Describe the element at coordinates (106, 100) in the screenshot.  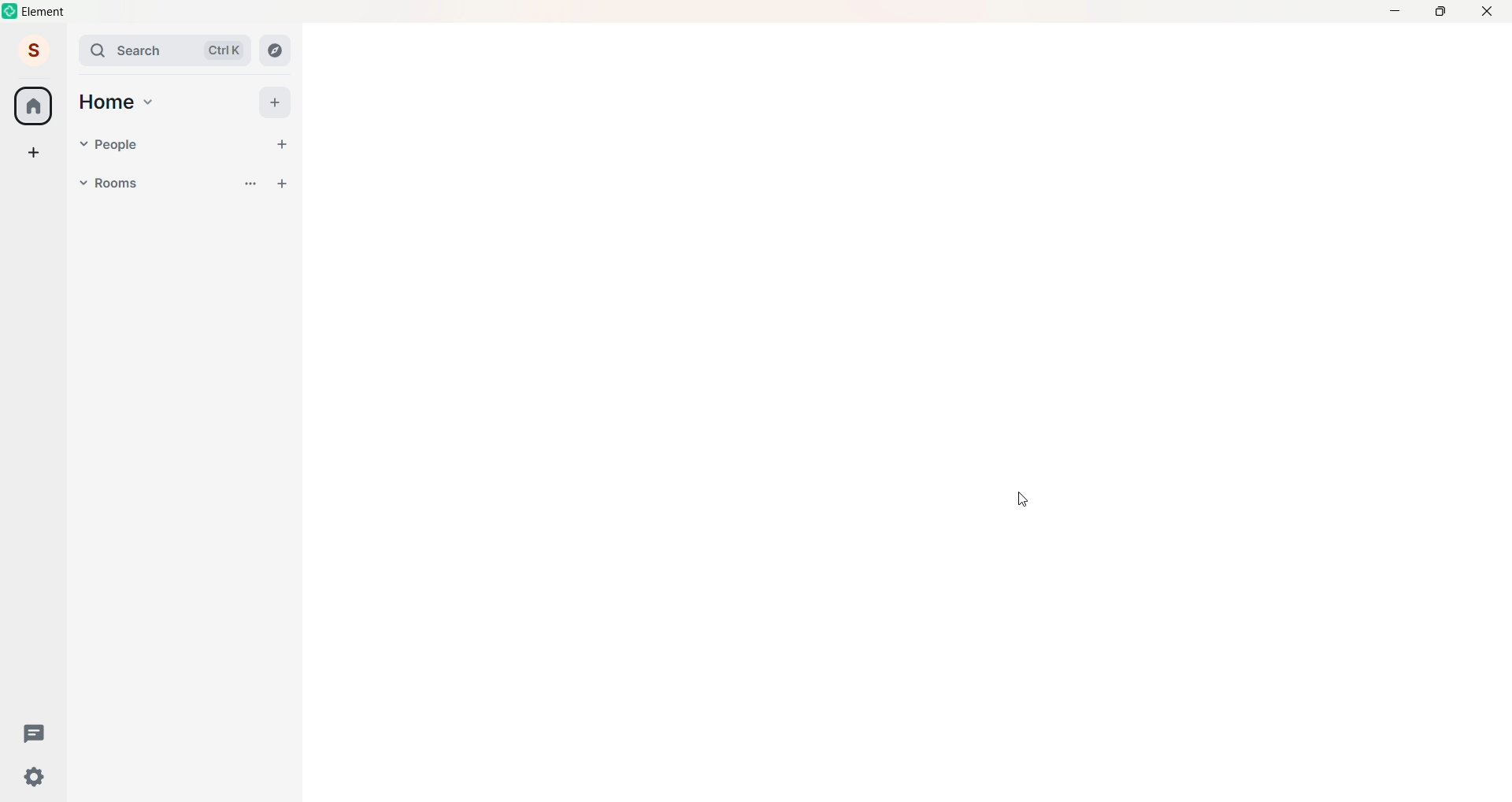
I see `Home` at that location.